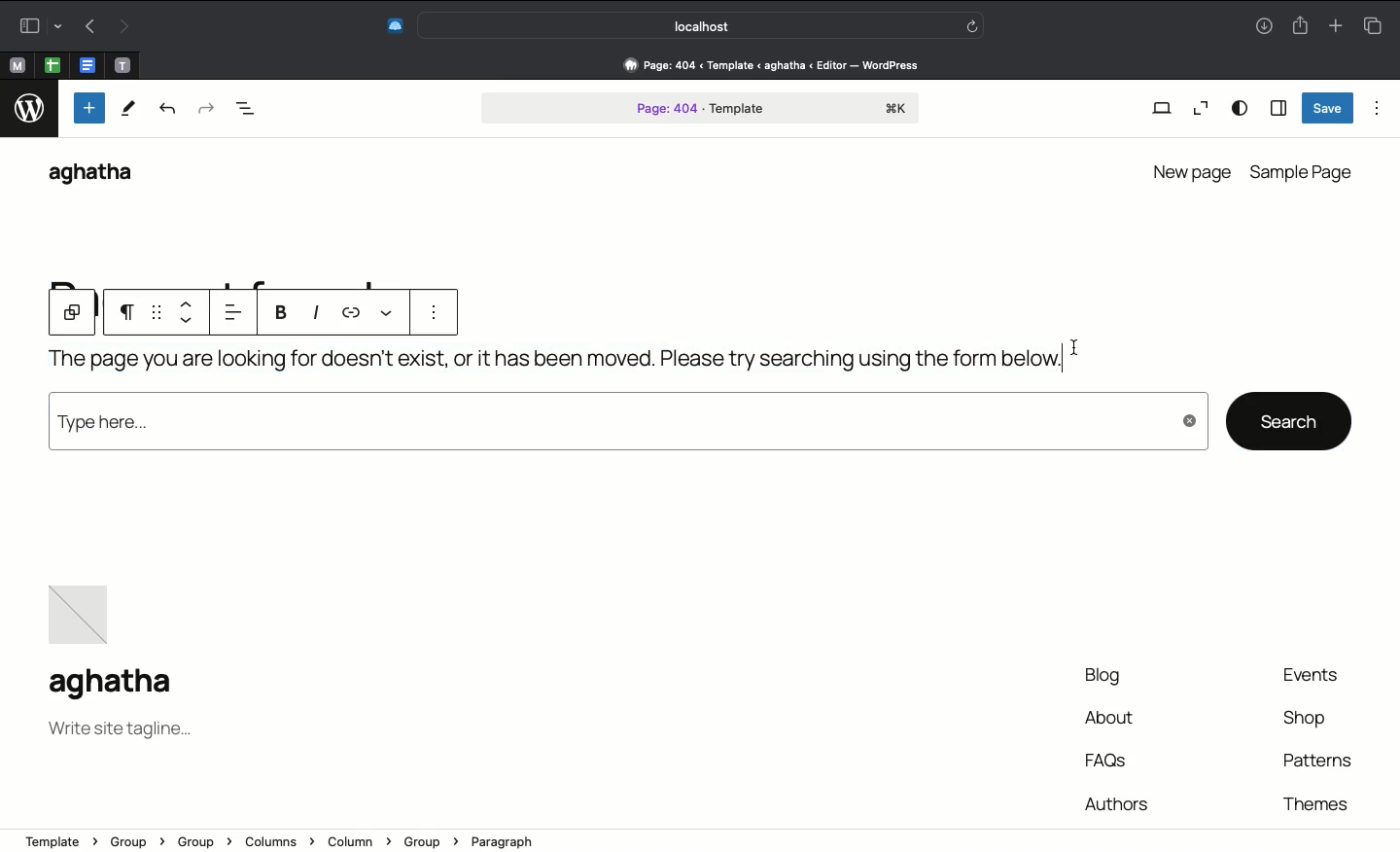 Image resolution: width=1400 pixels, height=852 pixels. Describe the element at coordinates (1307, 722) in the screenshot. I see `Shop` at that location.